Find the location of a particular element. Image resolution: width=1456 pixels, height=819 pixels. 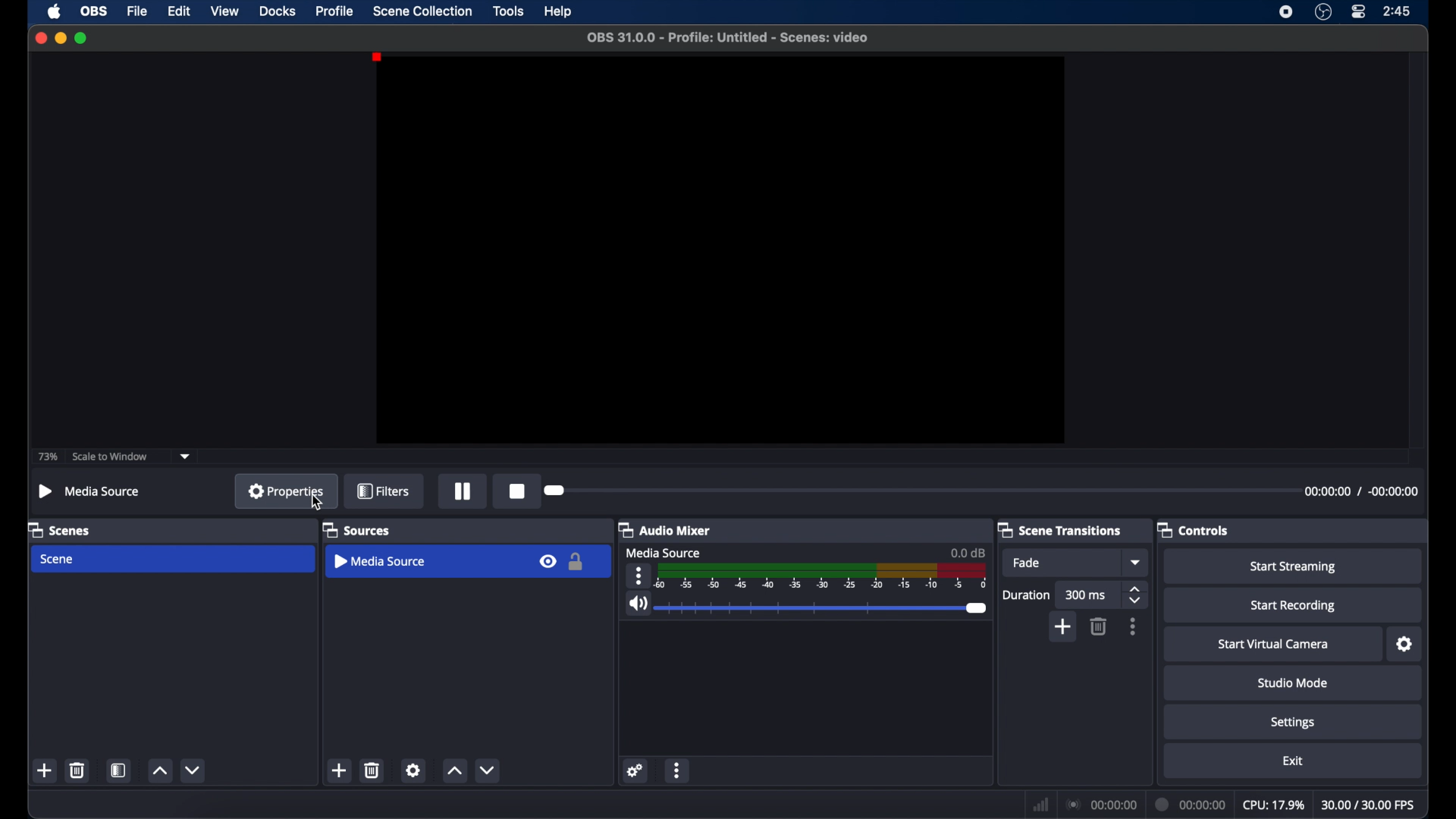

decrement is located at coordinates (194, 770).